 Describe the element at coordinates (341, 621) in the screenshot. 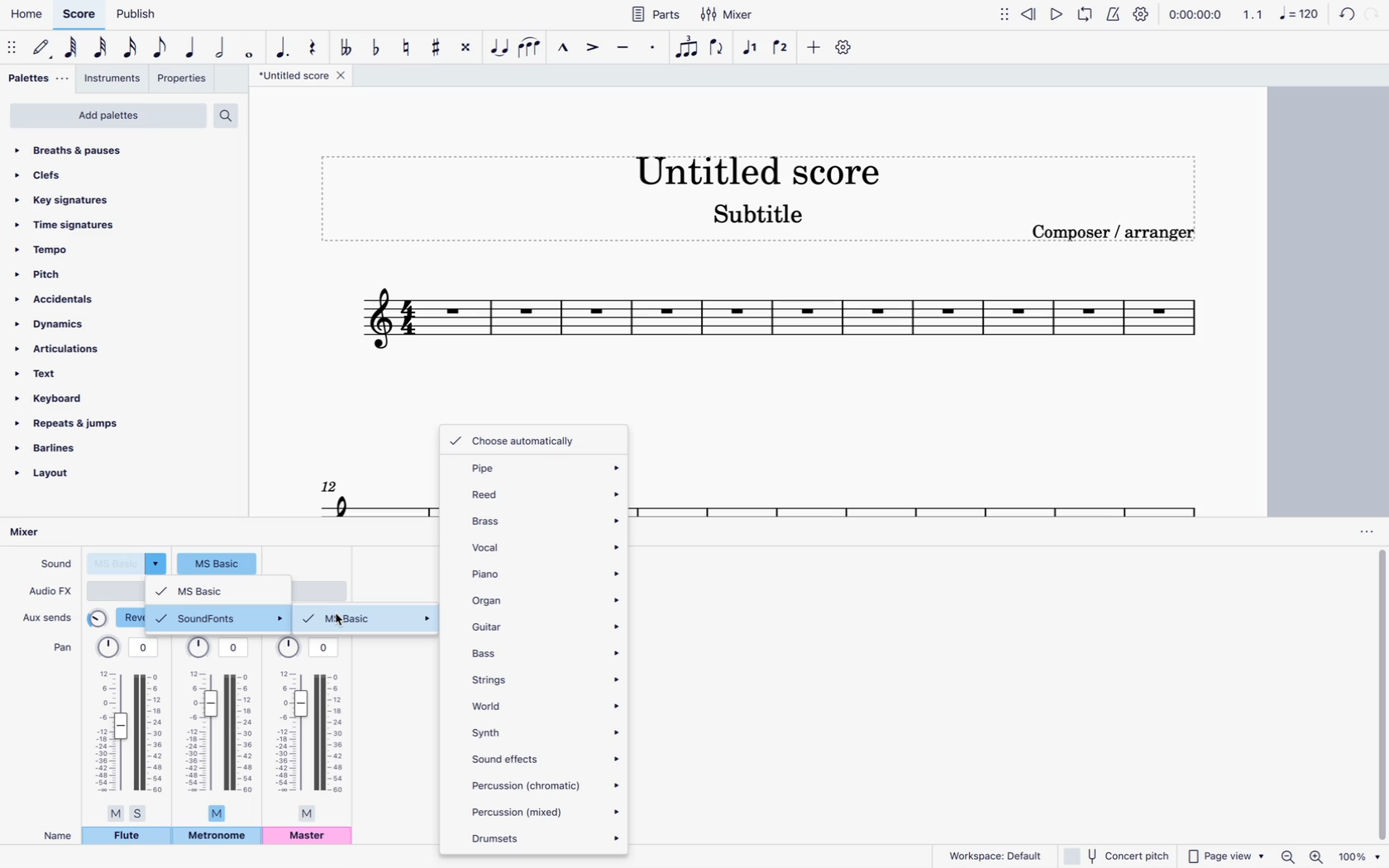

I see `cursor` at that location.